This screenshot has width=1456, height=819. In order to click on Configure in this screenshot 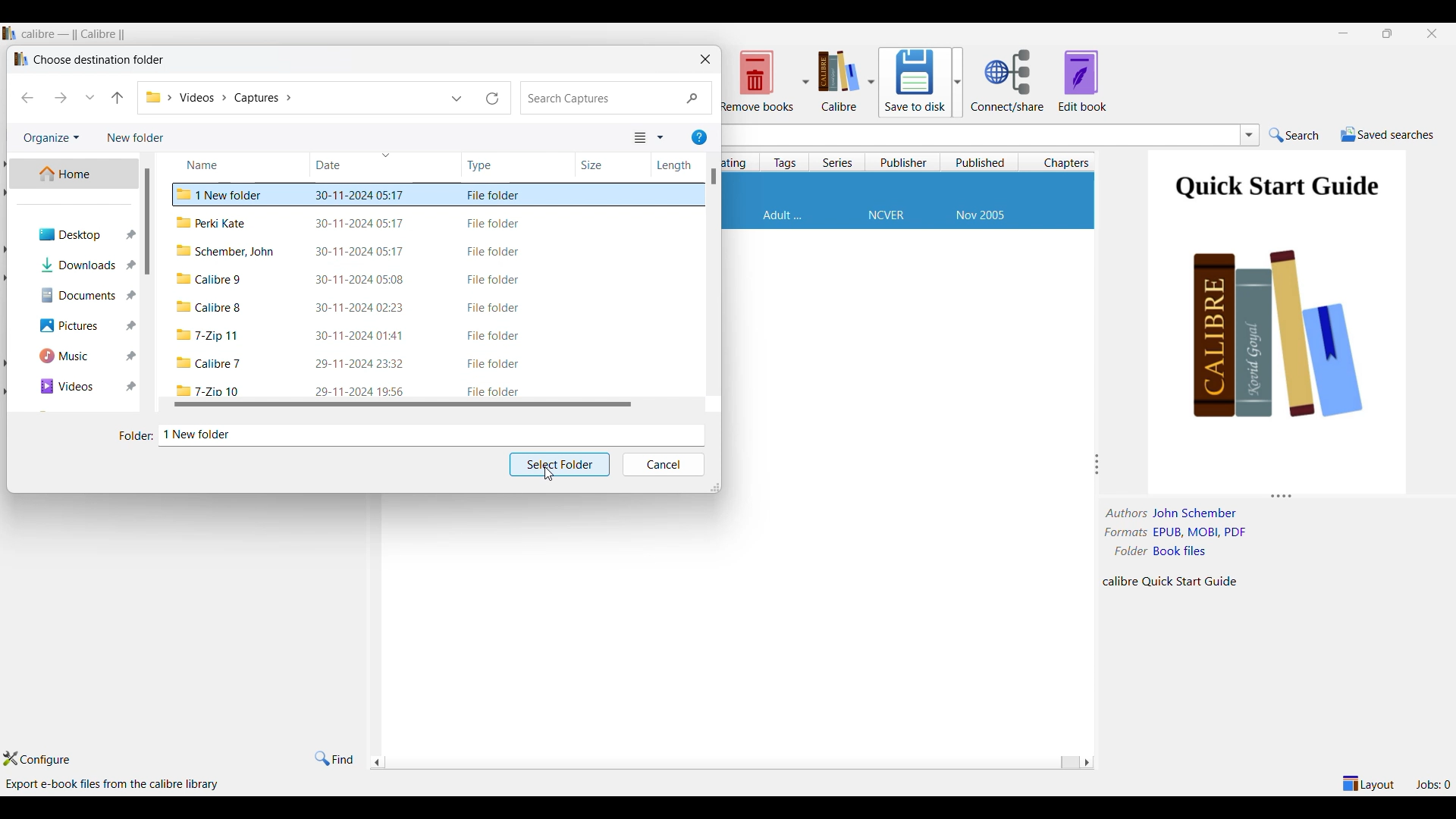, I will do `click(36, 758)`.